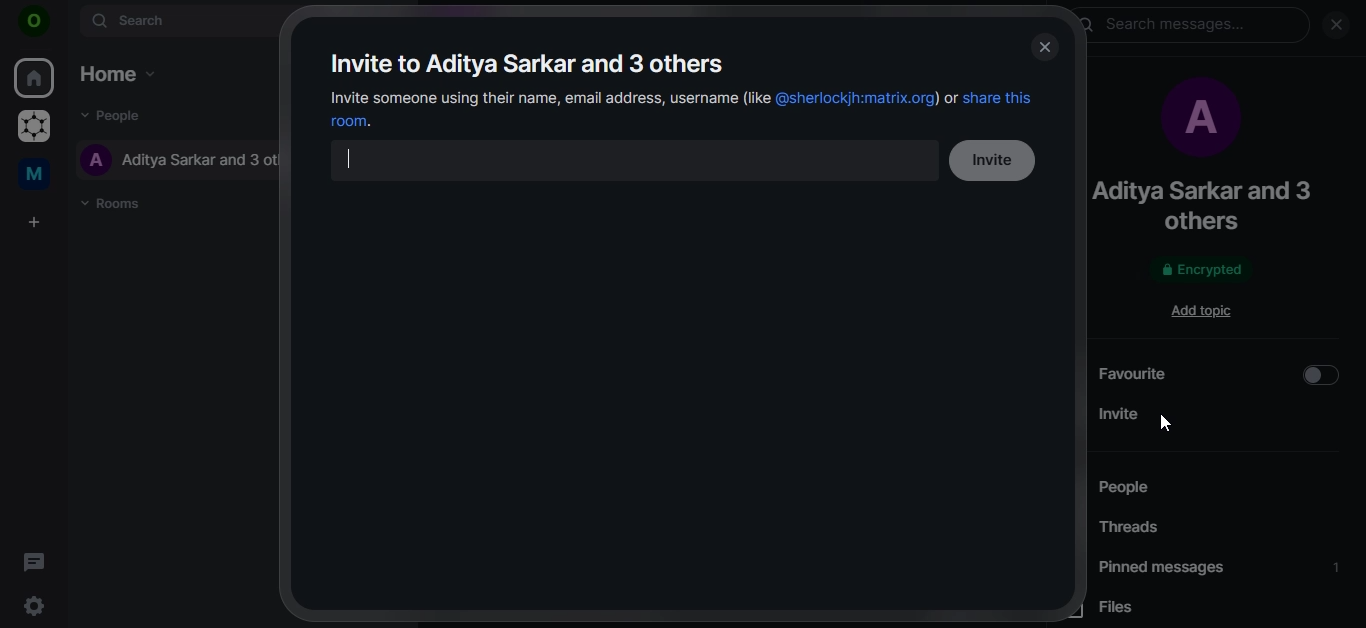 This screenshot has height=628, width=1366. What do you see at coordinates (185, 160) in the screenshot?
I see `aditya sarkar and 3 others` at bounding box center [185, 160].